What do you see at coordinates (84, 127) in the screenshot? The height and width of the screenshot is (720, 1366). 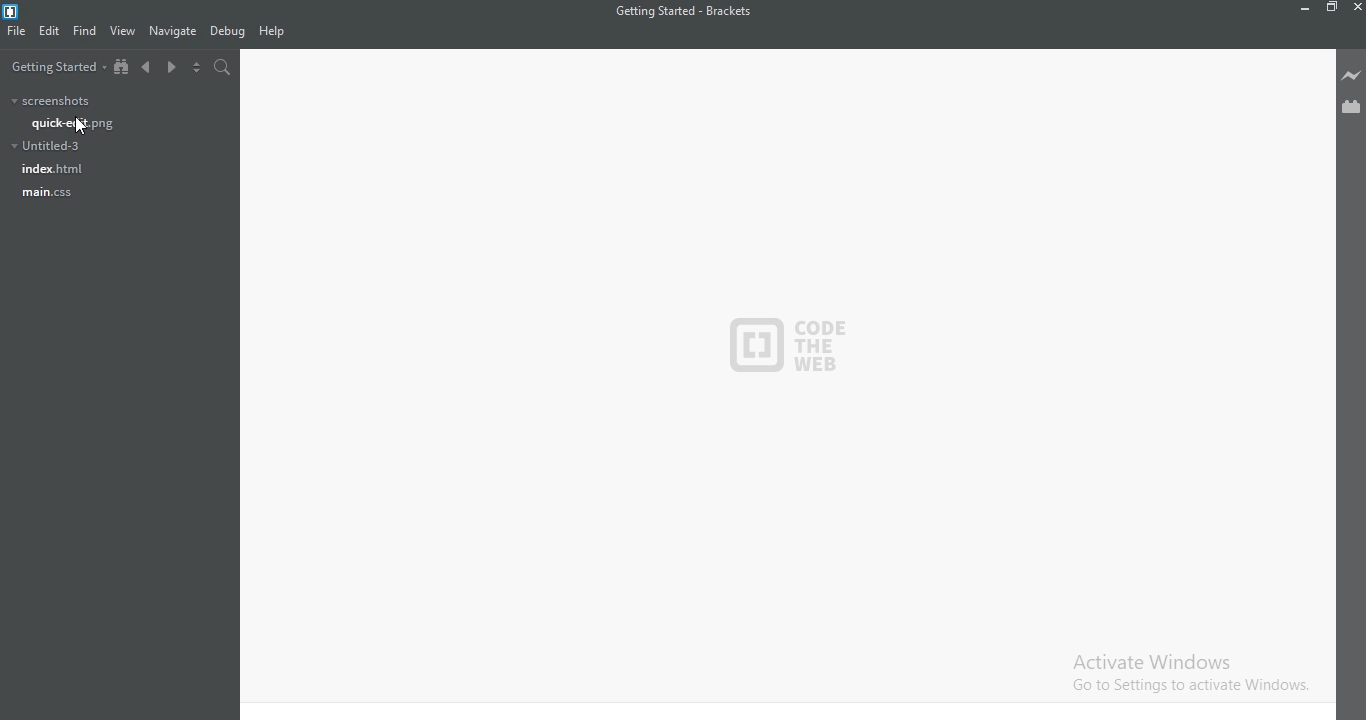 I see `cursor` at bounding box center [84, 127].